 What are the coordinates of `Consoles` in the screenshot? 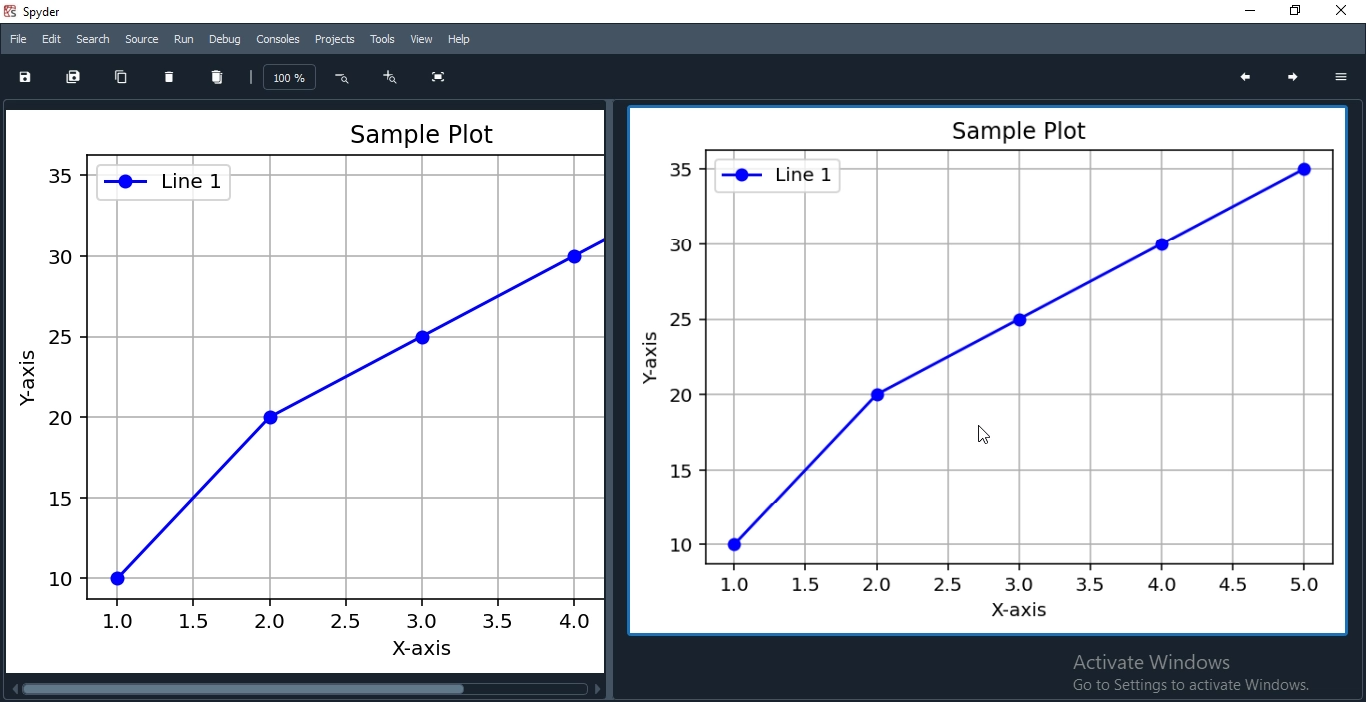 It's located at (278, 40).